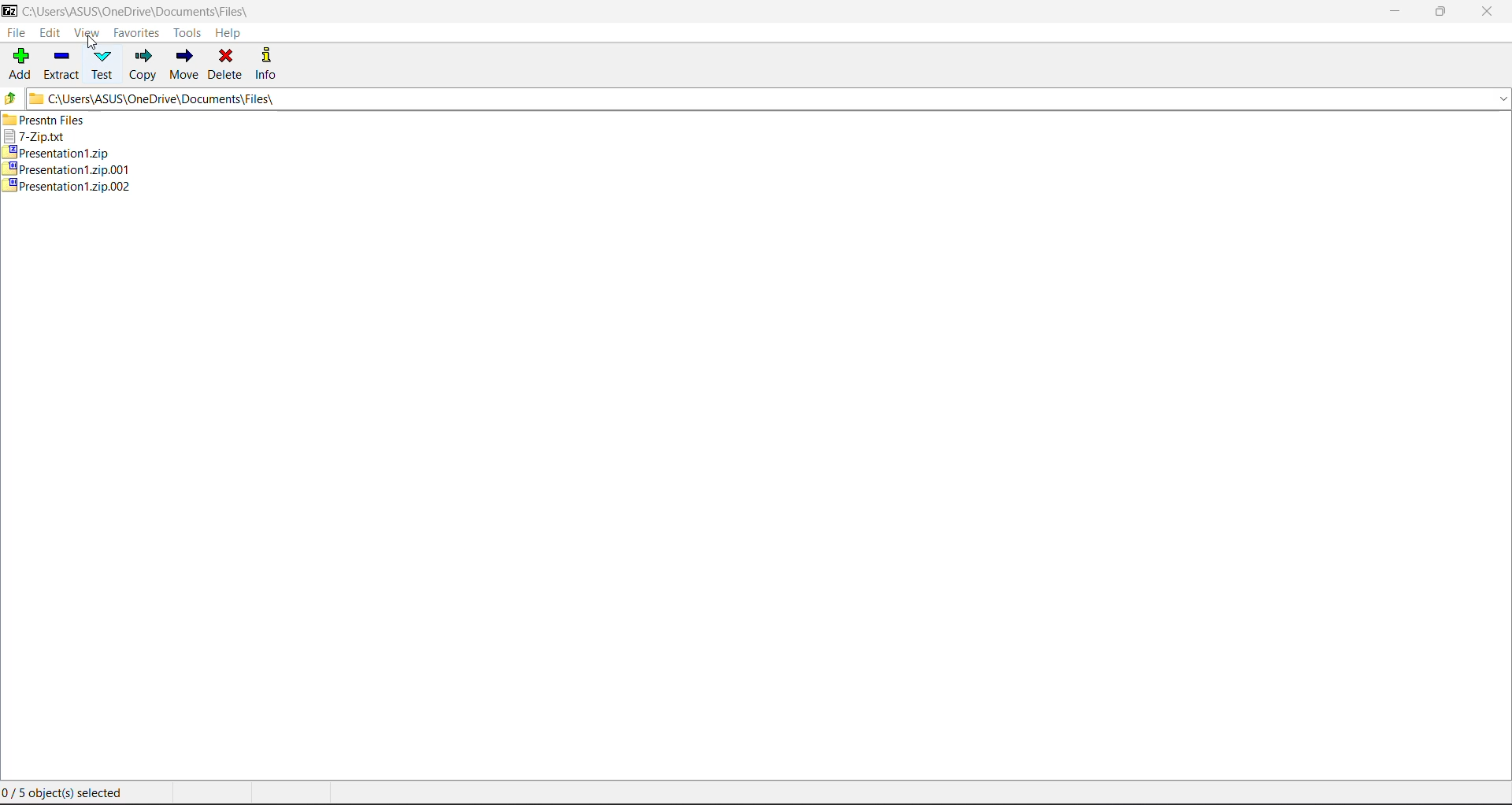  I want to click on cursor, so click(91, 44).